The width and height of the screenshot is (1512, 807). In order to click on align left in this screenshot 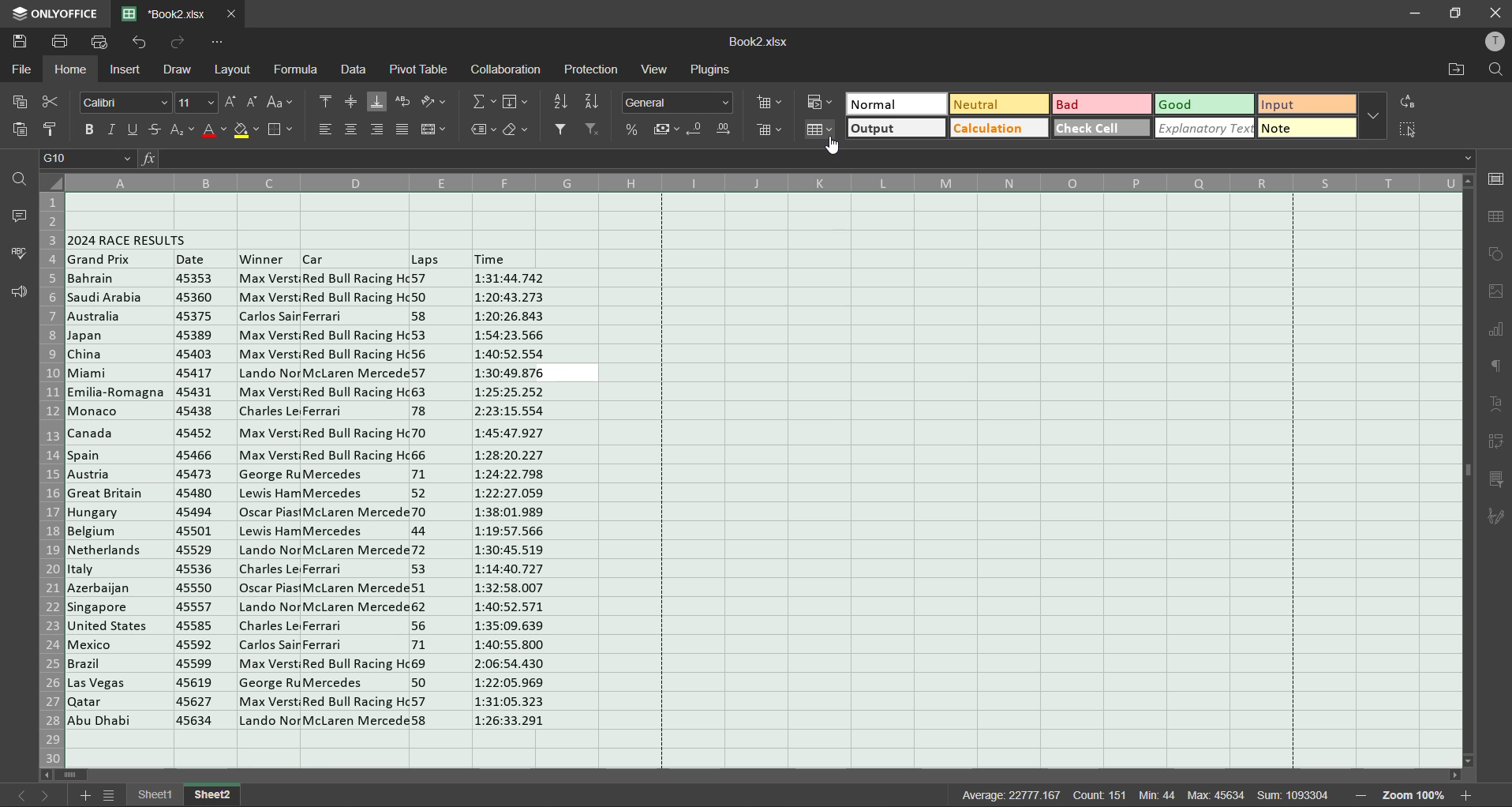, I will do `click(326, 129)`.